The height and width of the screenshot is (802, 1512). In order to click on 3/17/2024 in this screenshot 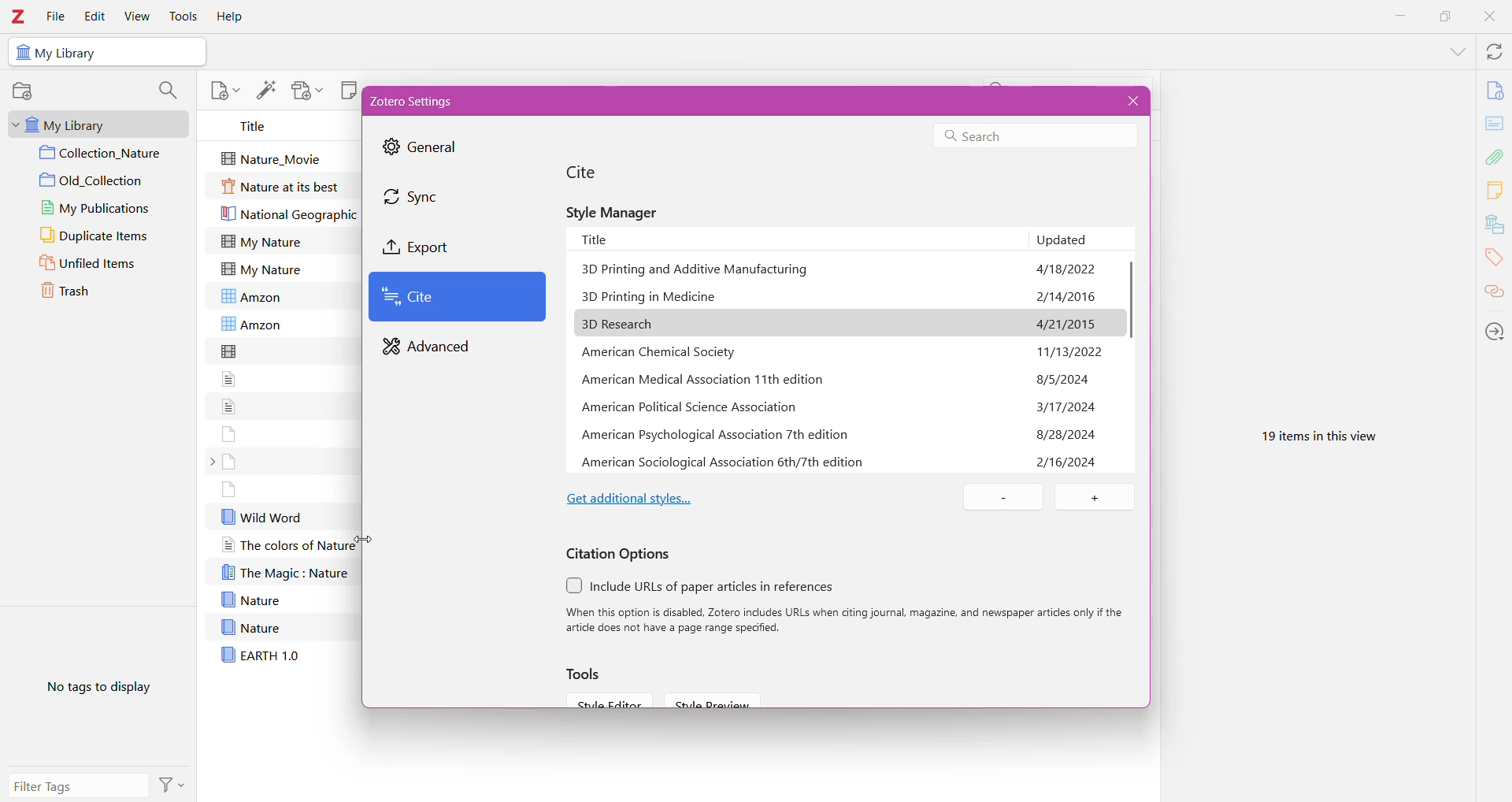, I will do `click(1067, 380)`.